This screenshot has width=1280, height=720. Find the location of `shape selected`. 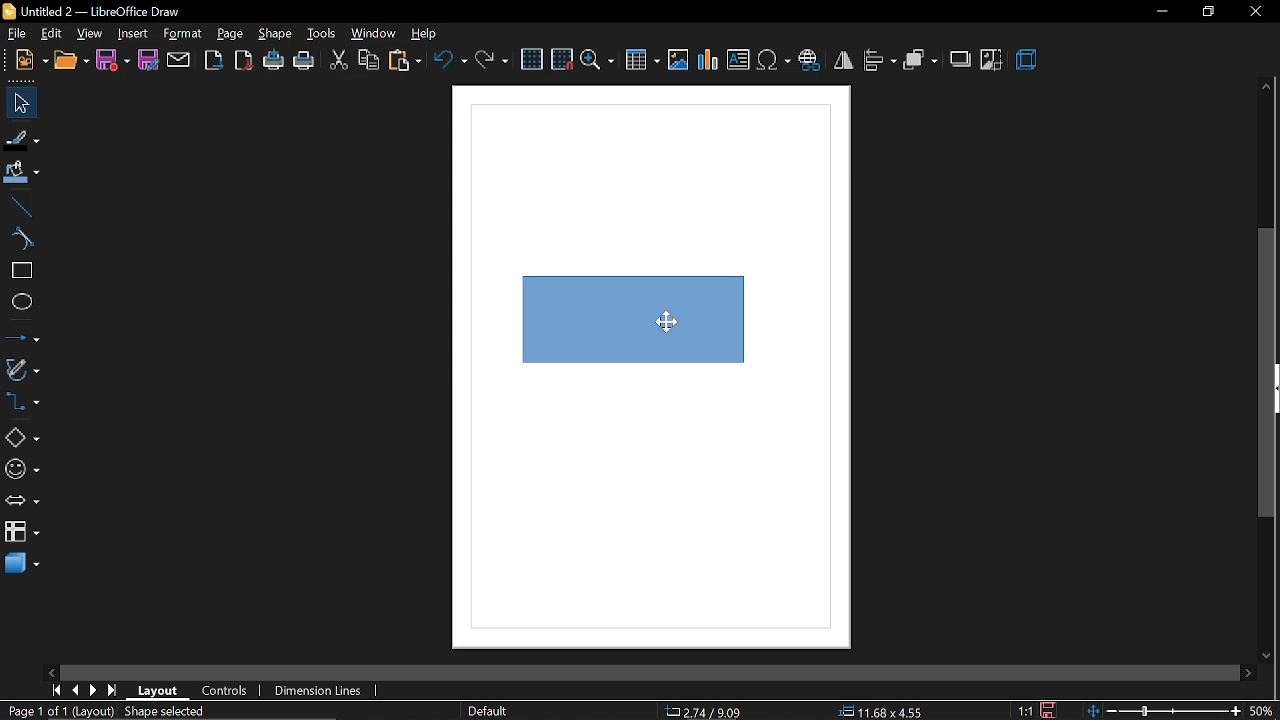

shape selected is located at coordinates (167, 713).